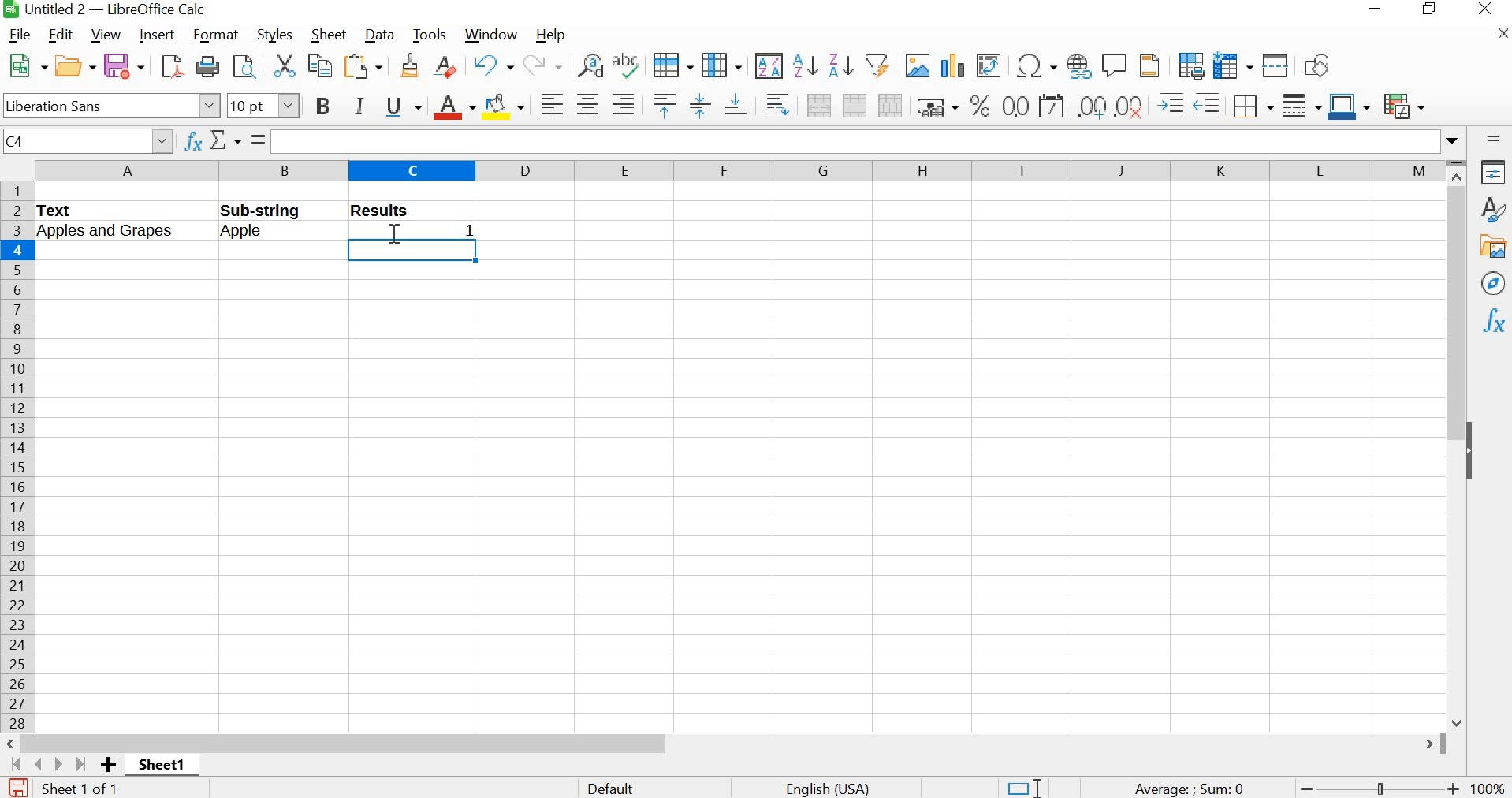  I want to click on italic, so click(358, 105).